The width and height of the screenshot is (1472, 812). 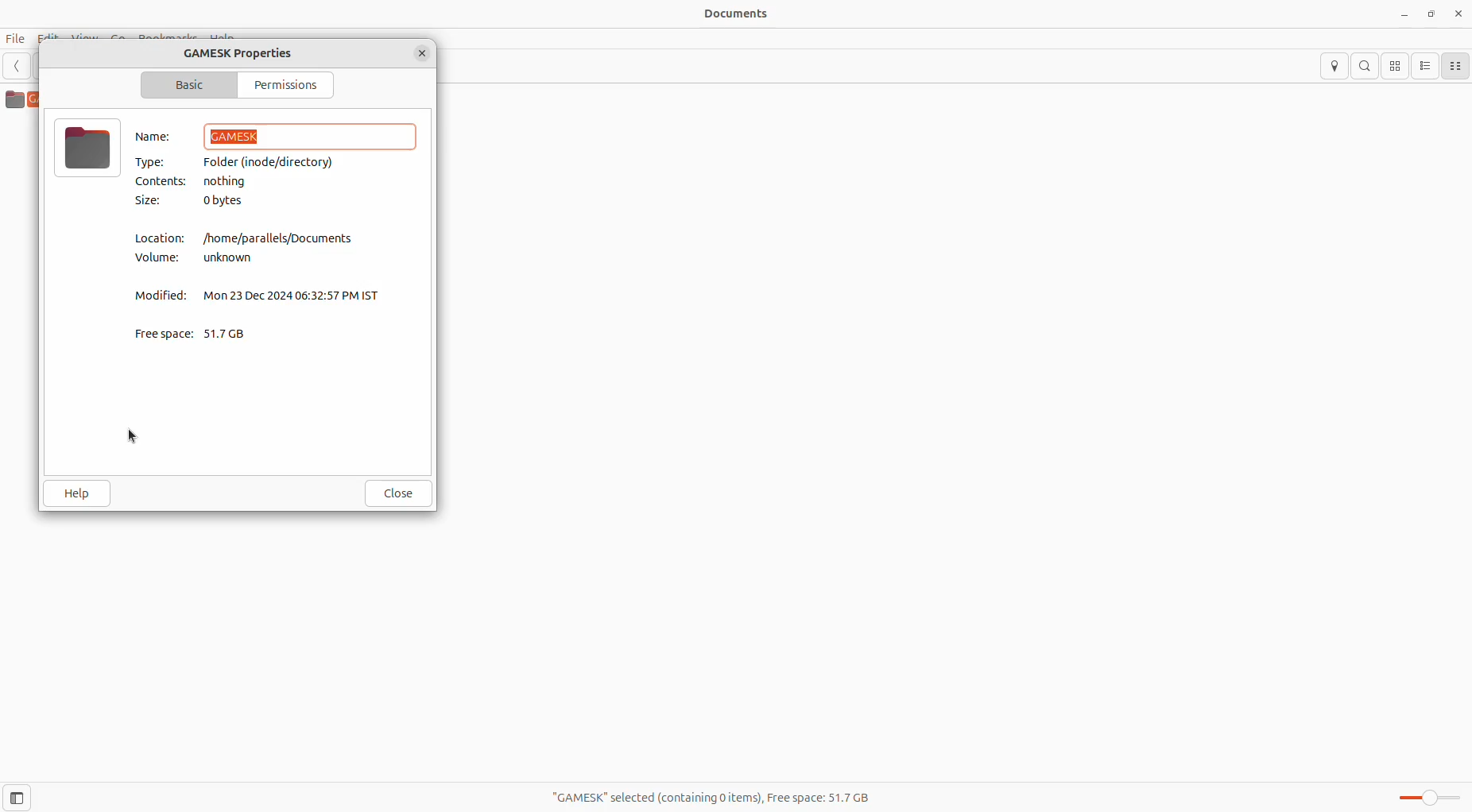 I want to click on minimize, so click(x=1405, y=16).